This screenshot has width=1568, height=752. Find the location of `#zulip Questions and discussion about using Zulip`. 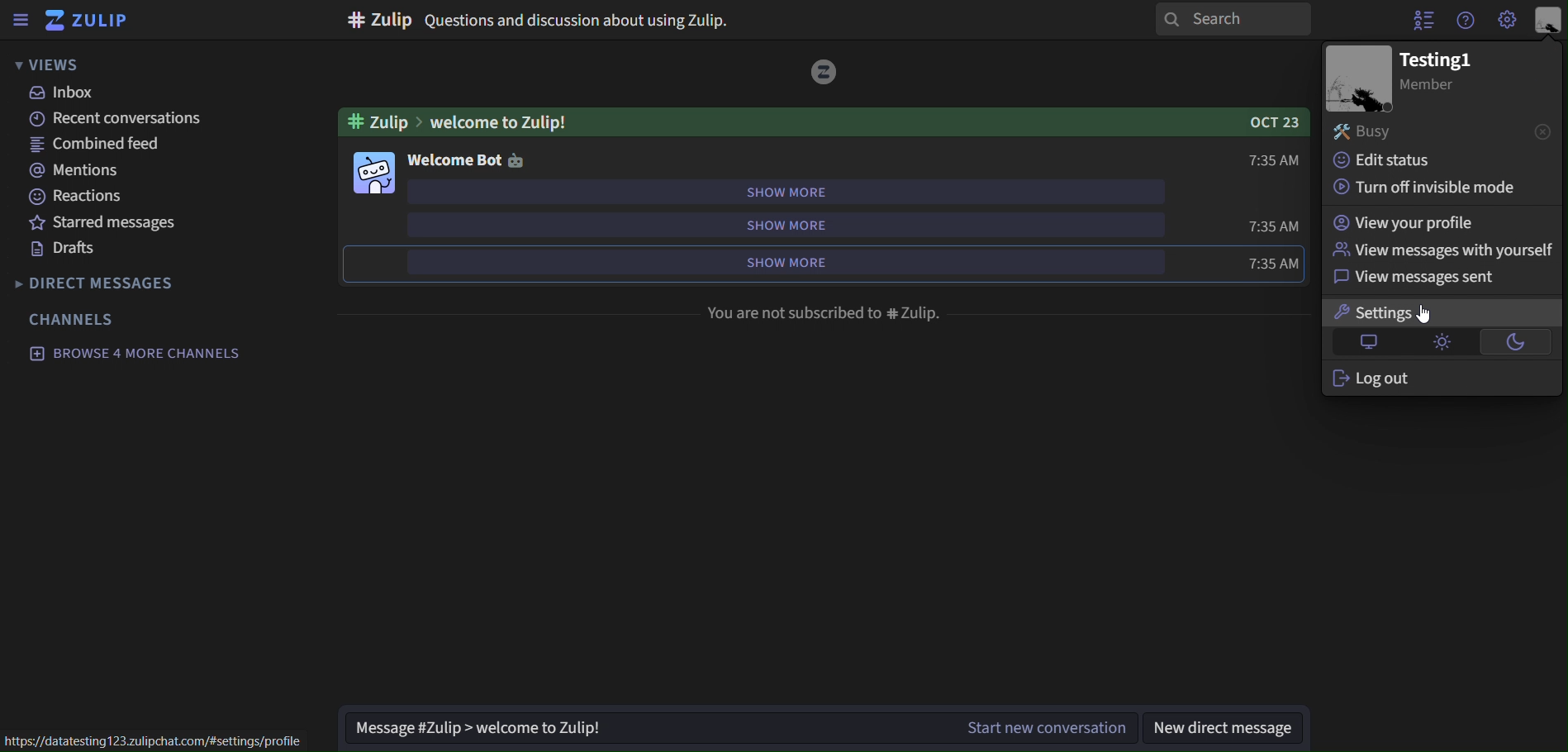

#zulip Questions and discussion about using Zulip is located at coordinates (545, 21).